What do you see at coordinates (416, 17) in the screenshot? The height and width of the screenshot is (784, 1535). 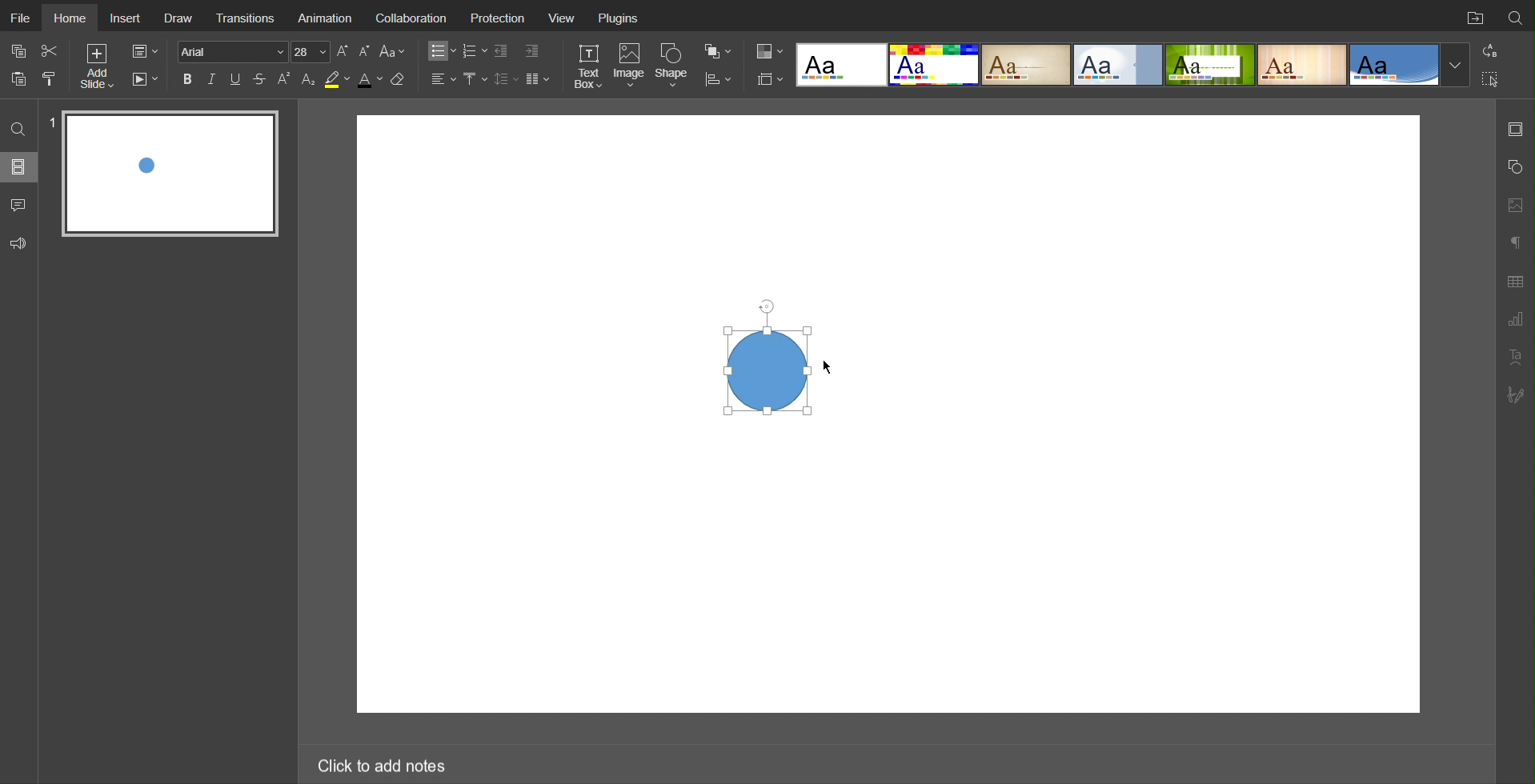 I see `Collaboration` at bounding box center [416, 17].